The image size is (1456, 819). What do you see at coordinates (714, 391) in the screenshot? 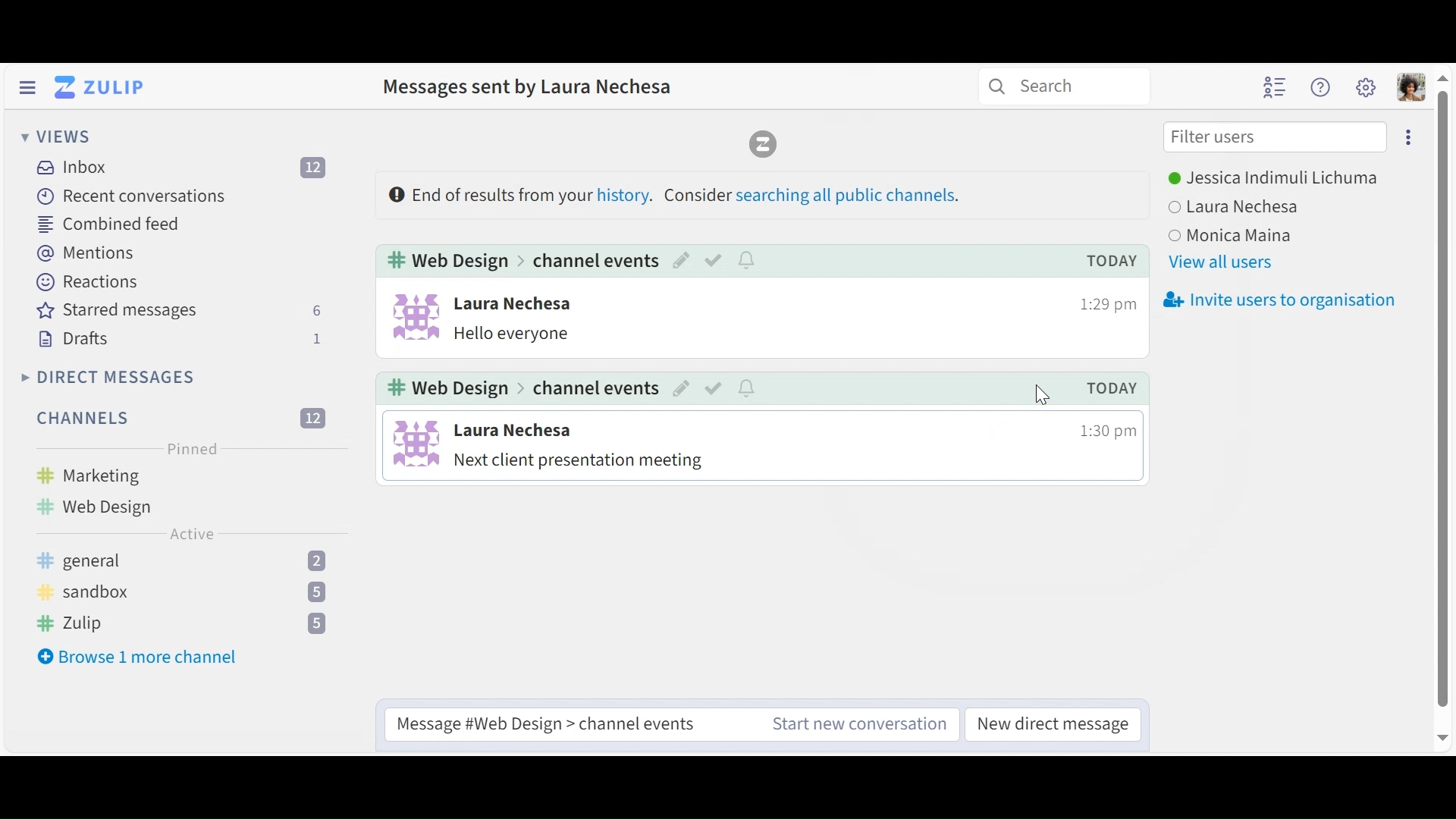
I see `mark` at bounding box center [714, 391].